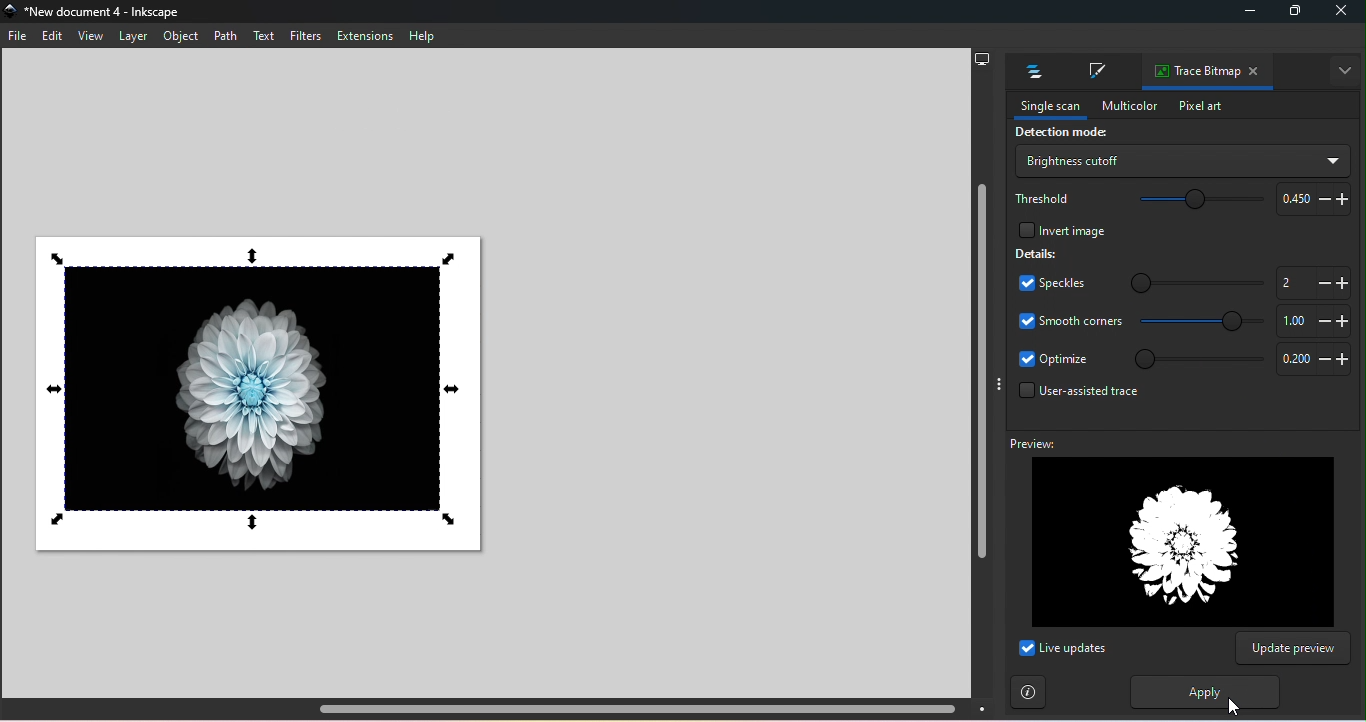 The height and width of the screenshot is (722, 1366). I want to click on Invert image, so click(1060, 228).